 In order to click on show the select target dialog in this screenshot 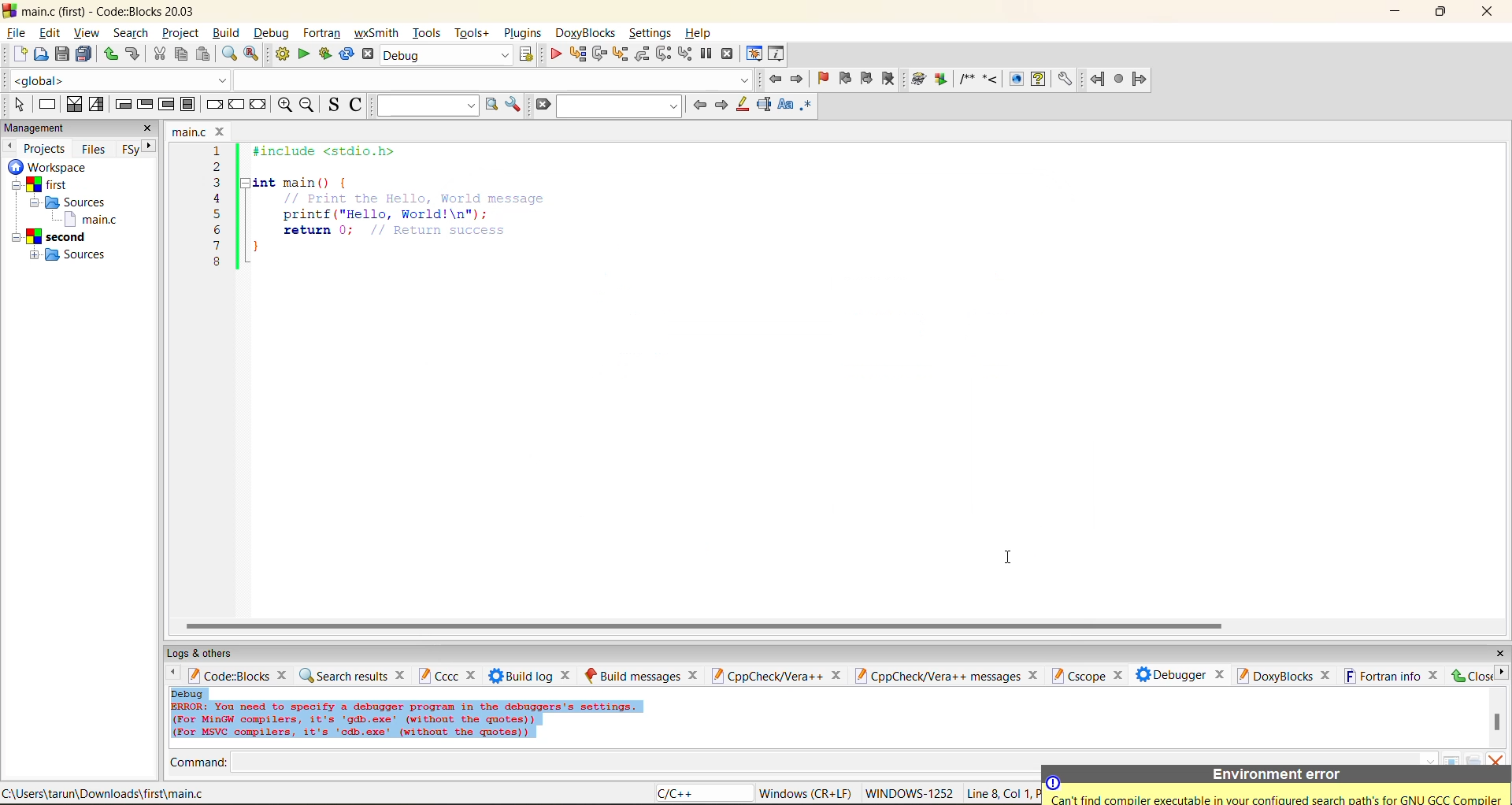, I will do `click(528, 54)`.